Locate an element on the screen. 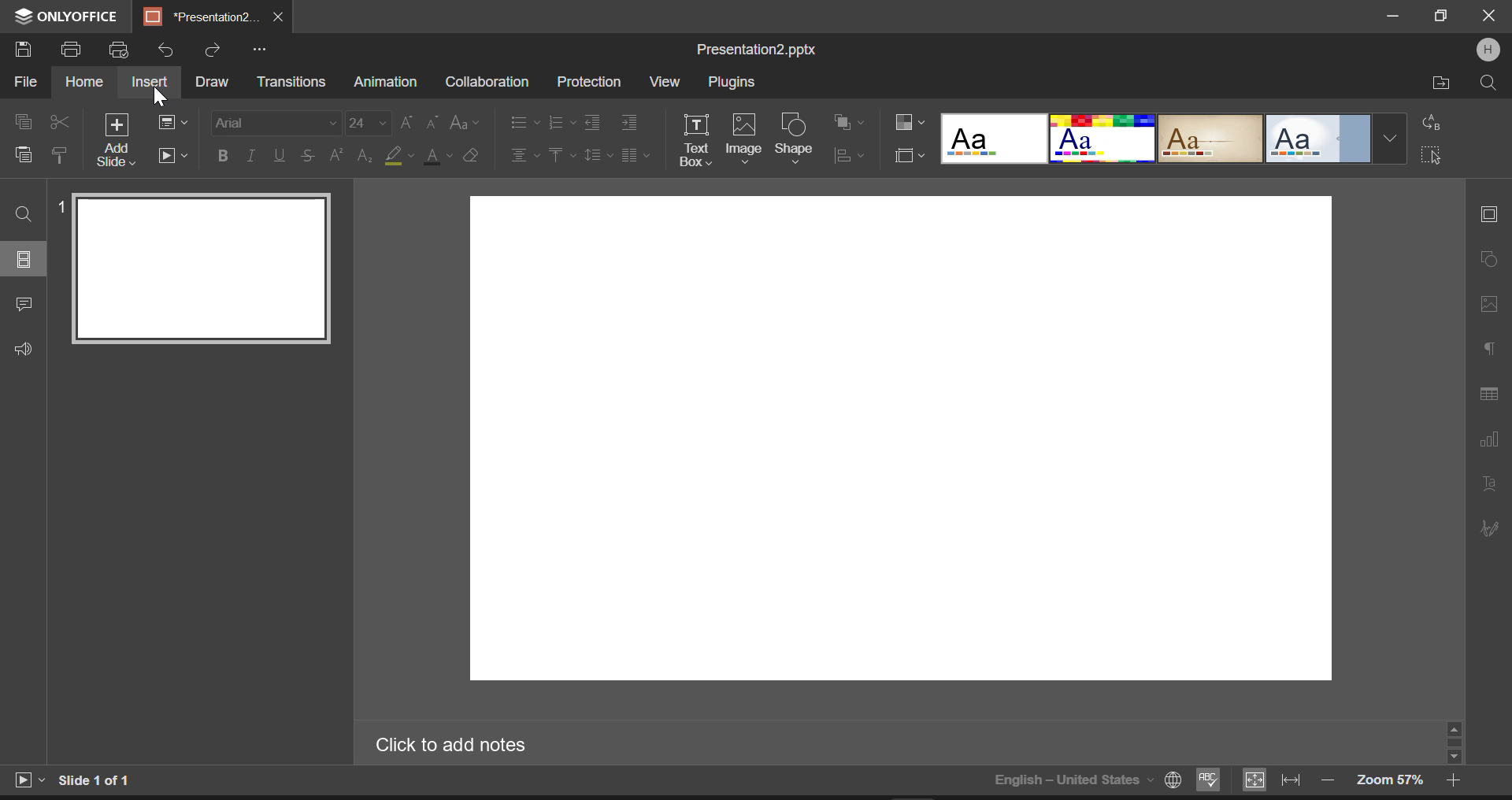 The image size is (1512, 800). Close Tab is located at coordinates (280, 17).